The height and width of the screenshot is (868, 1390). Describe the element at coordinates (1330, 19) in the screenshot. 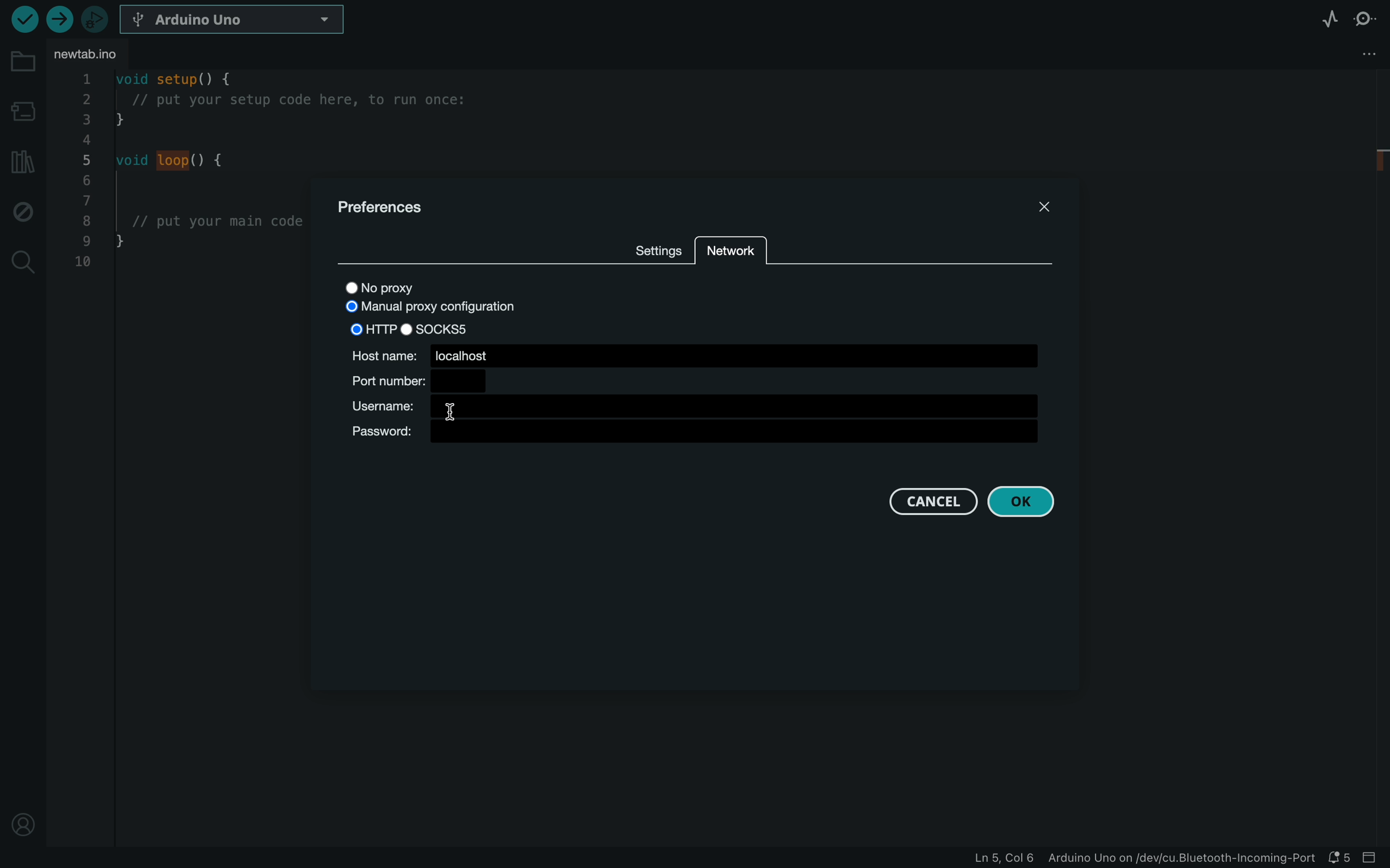

I see `serial plotter` at that location.